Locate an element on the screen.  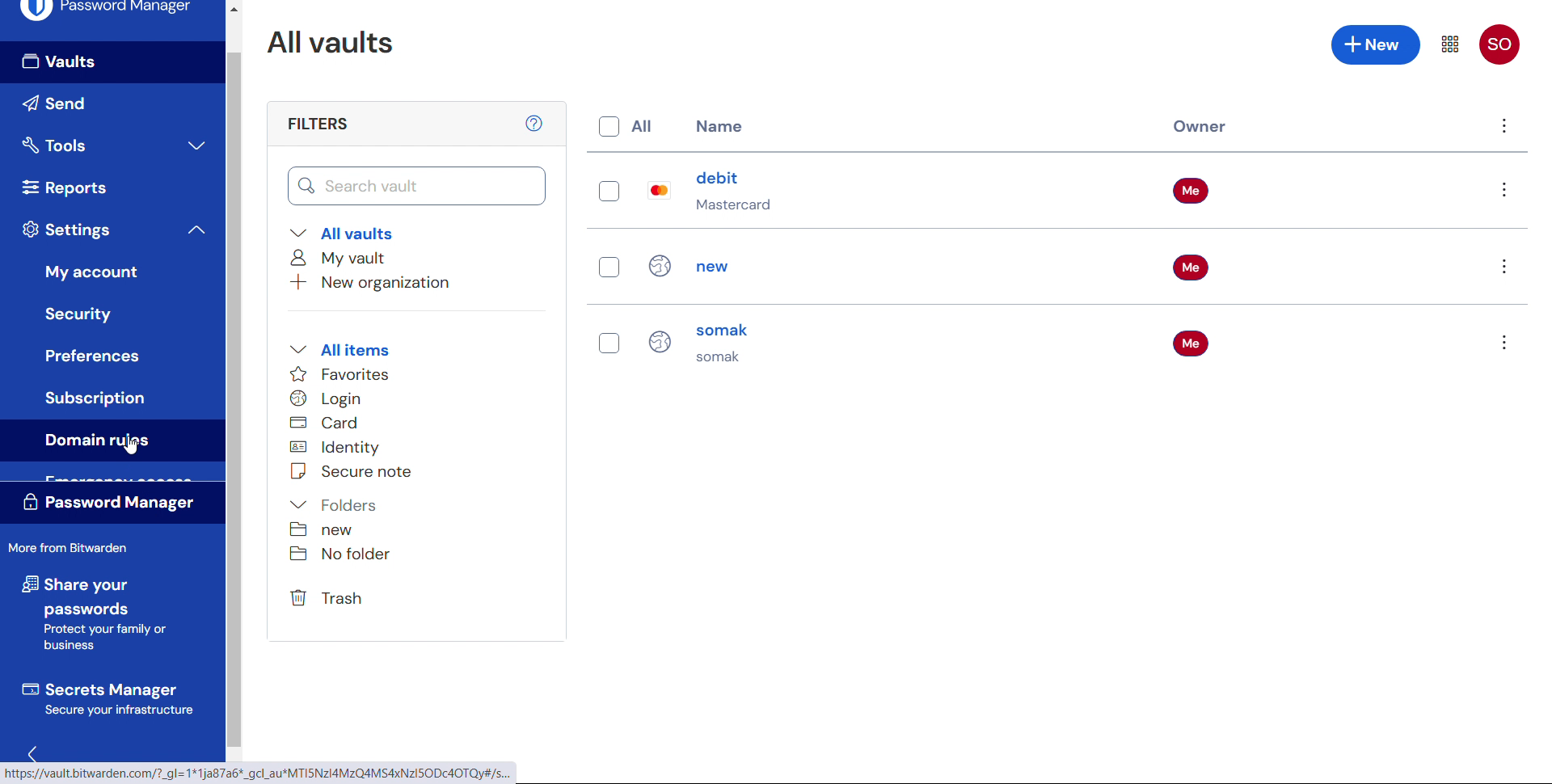
help  is located at coordinates (533, 124).